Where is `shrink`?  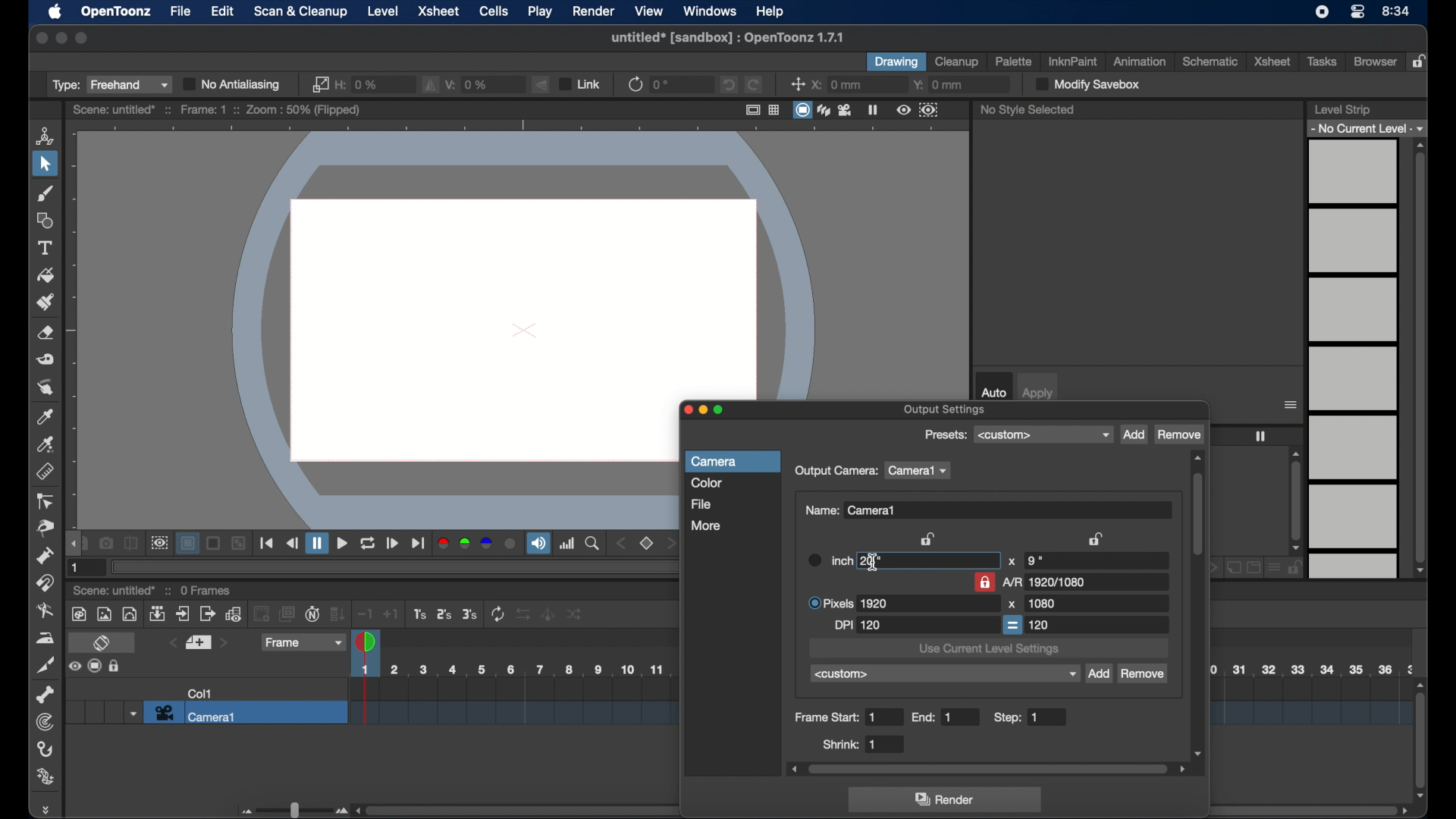
shrink is located at coordinates (851, 744).